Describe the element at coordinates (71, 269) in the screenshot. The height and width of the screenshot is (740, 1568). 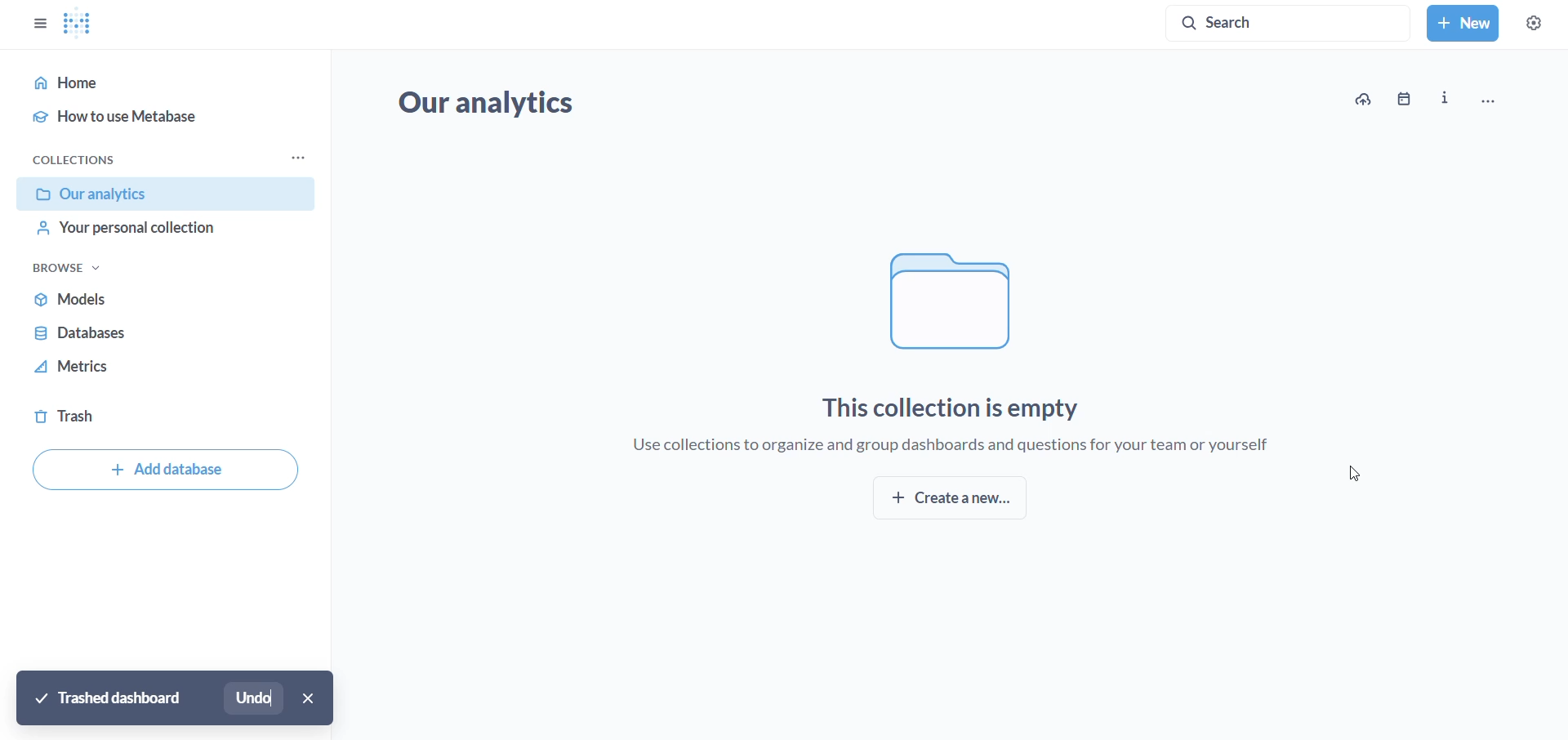
I see `browse` at that location.